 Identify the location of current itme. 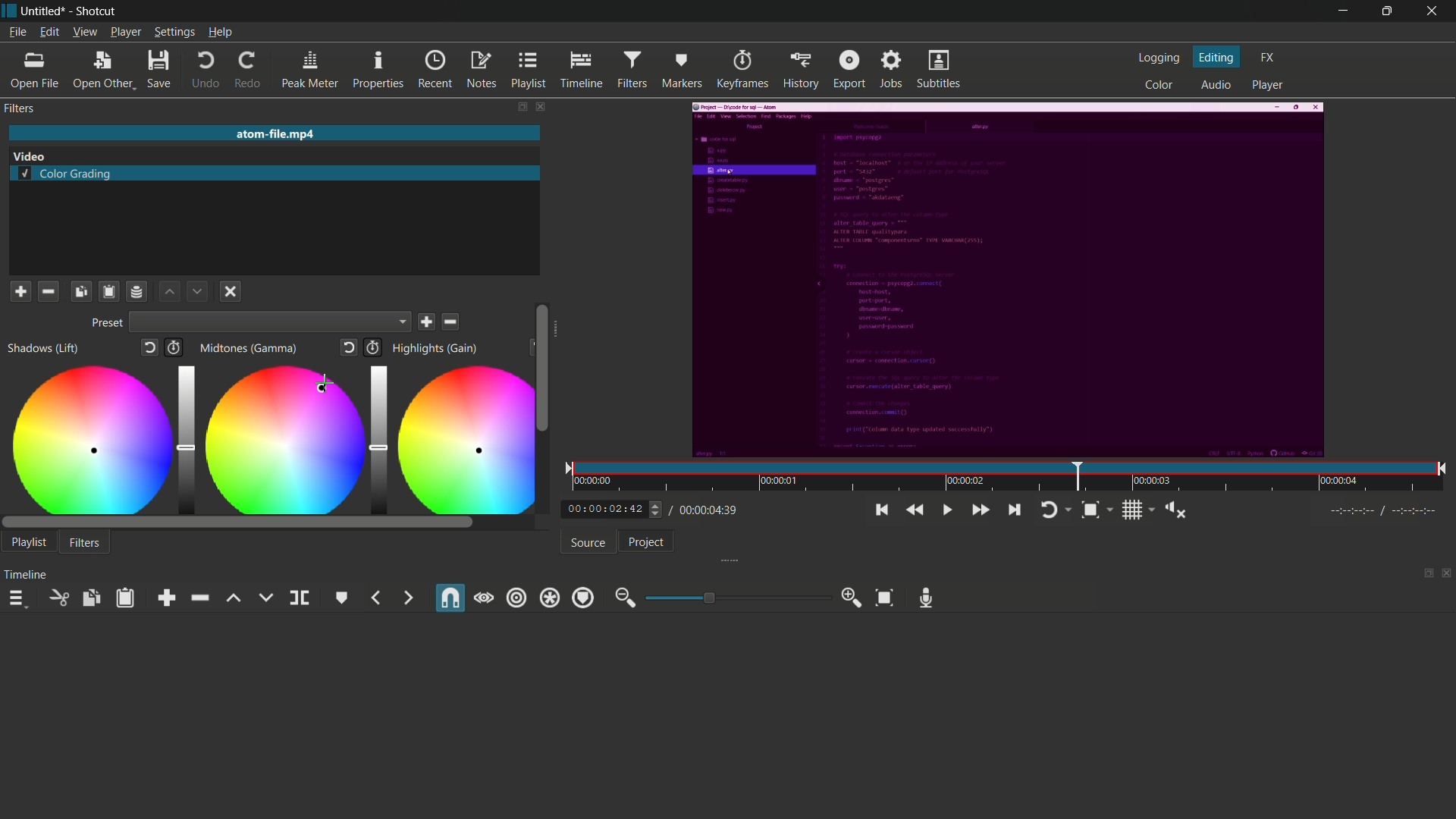
(607, 510).